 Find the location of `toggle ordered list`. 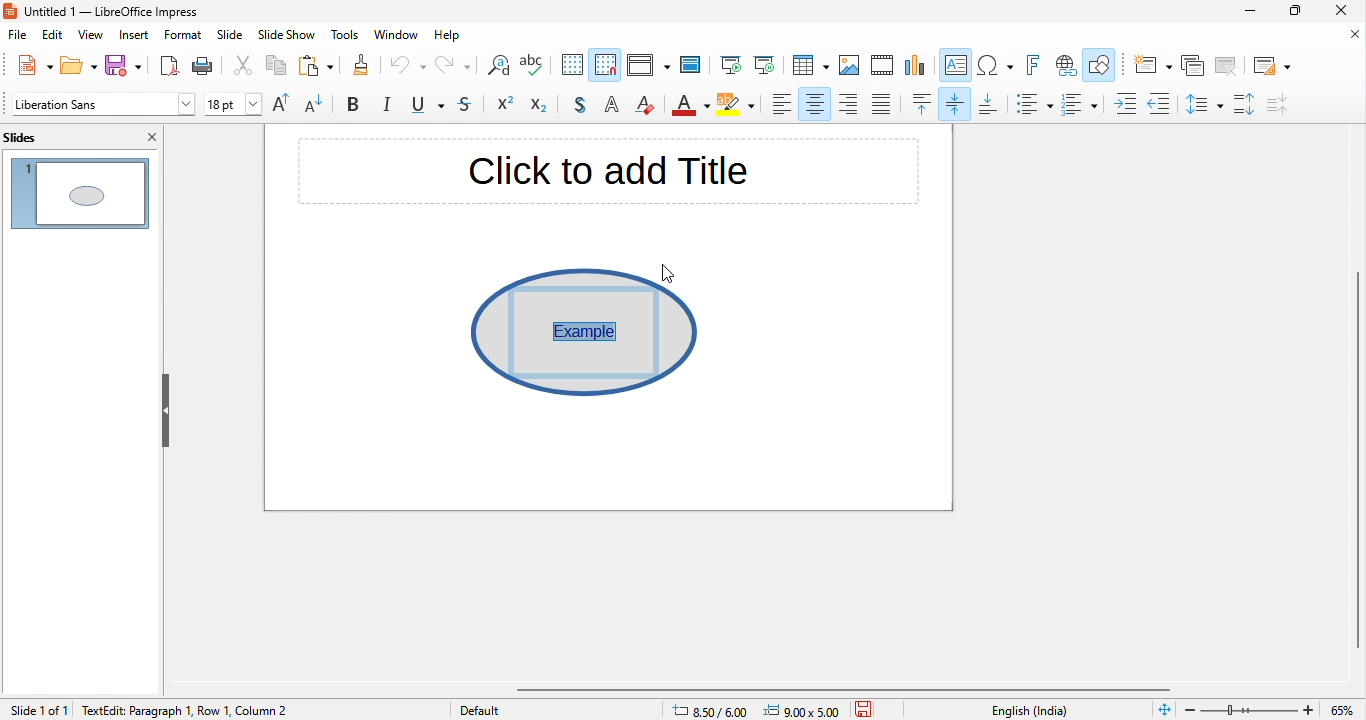

toggle ordered list is located at coordinates (1083, 104).